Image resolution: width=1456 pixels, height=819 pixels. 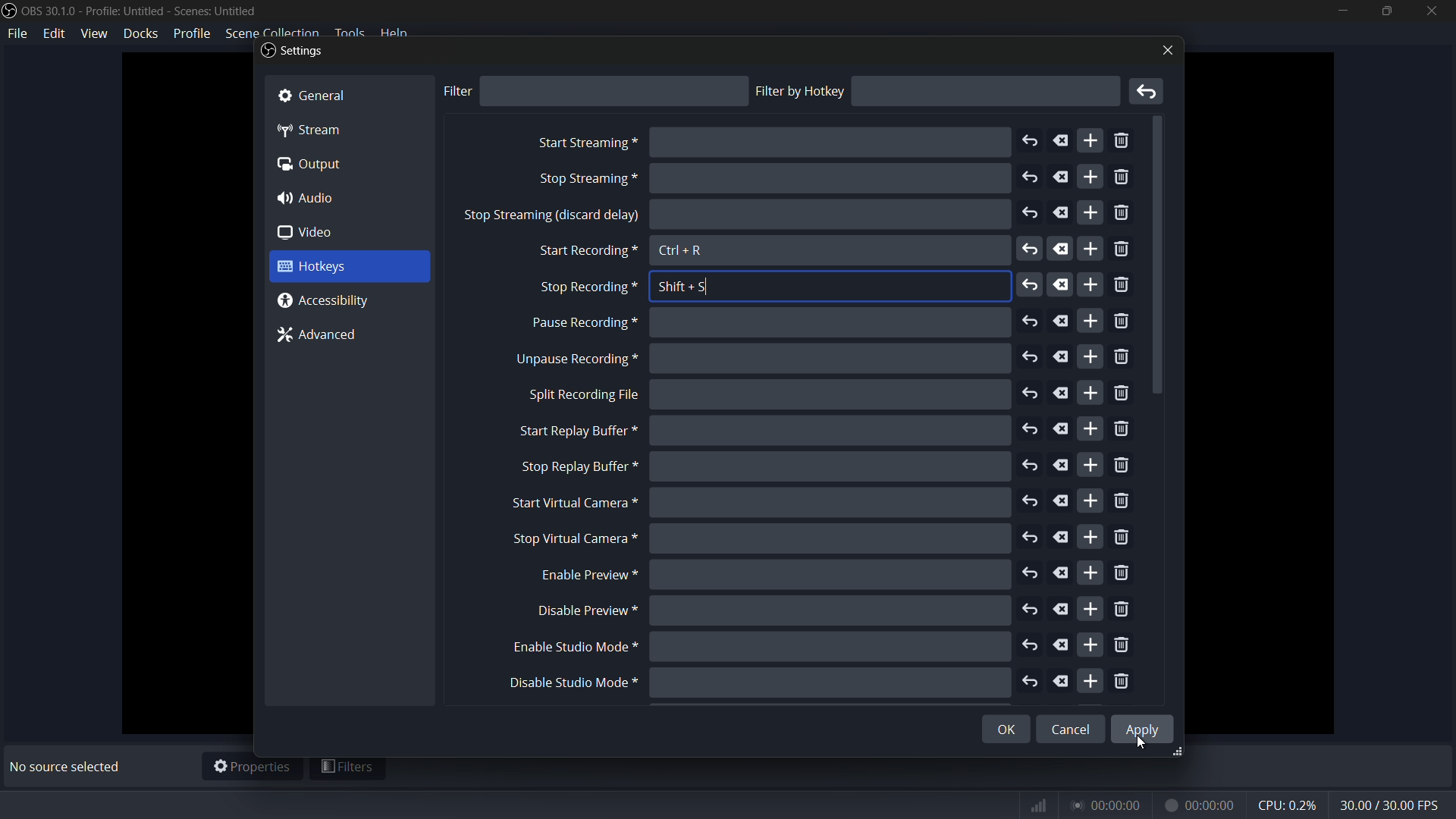 I want to click on enable preview, so click(x=583, y=576).